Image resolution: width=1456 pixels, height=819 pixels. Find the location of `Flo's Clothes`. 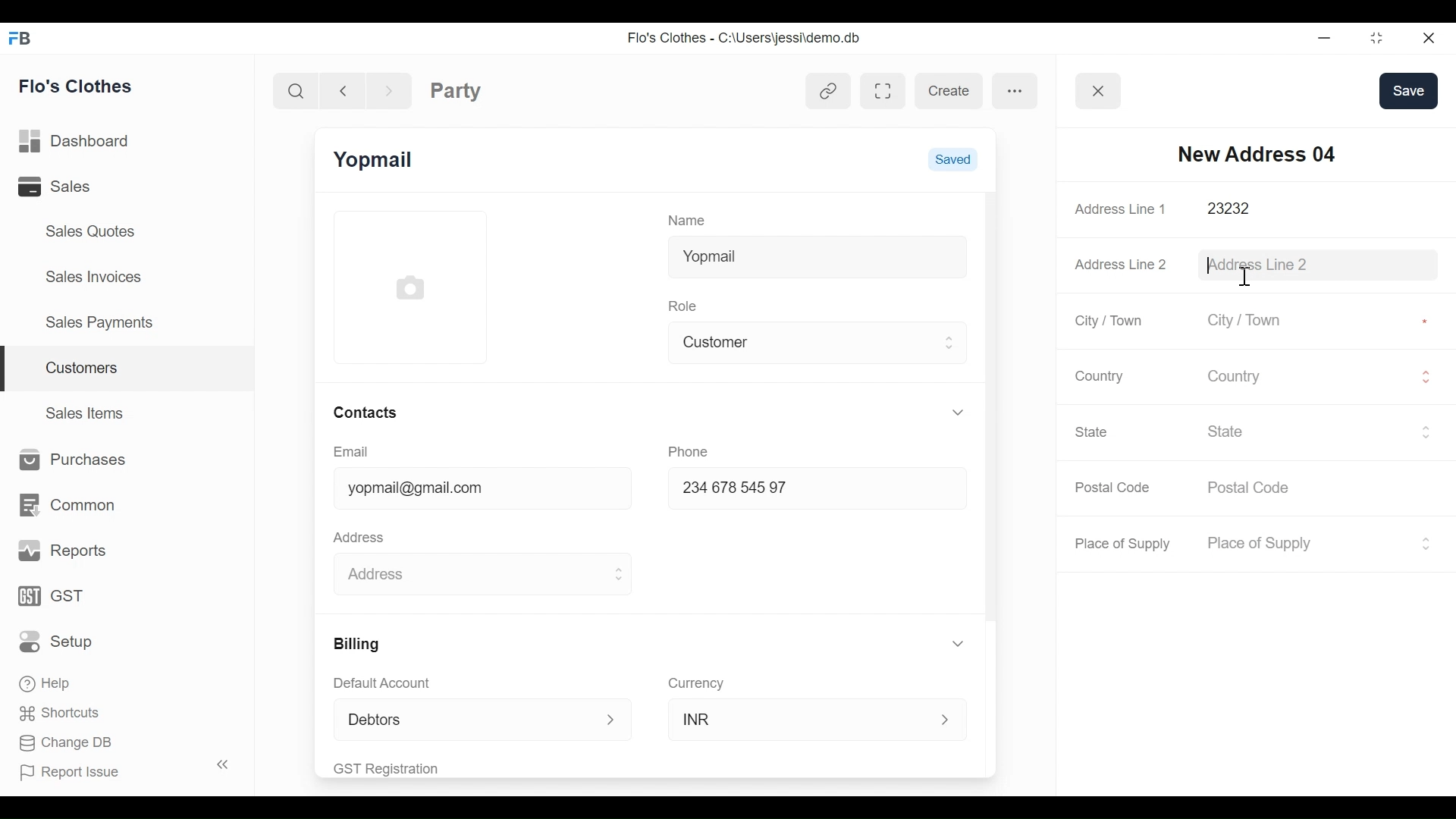

Flo's Clothes is located at coordinates (78, 86).